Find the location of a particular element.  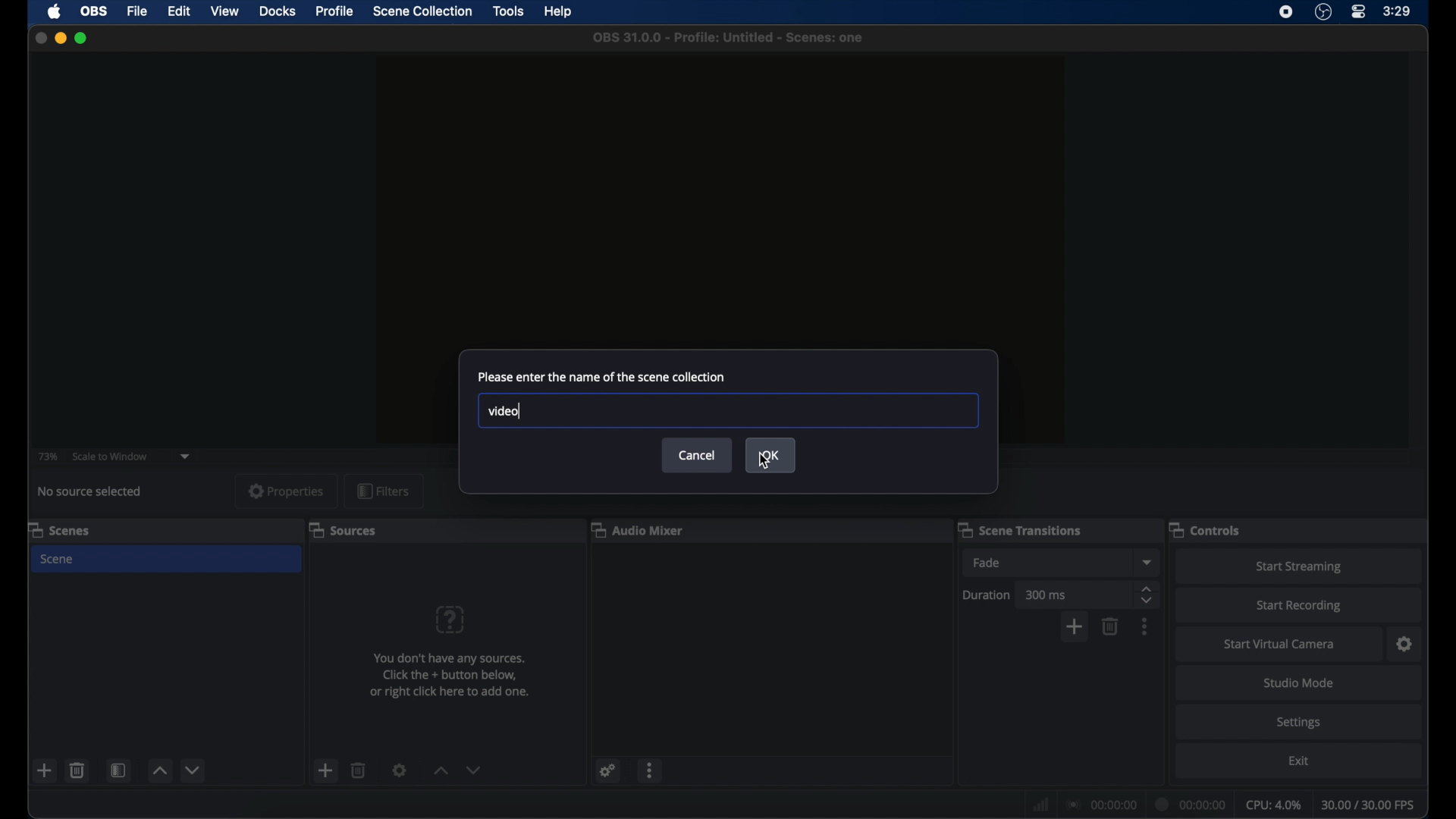

stepper buttons is located at coordinates (1147, 595).